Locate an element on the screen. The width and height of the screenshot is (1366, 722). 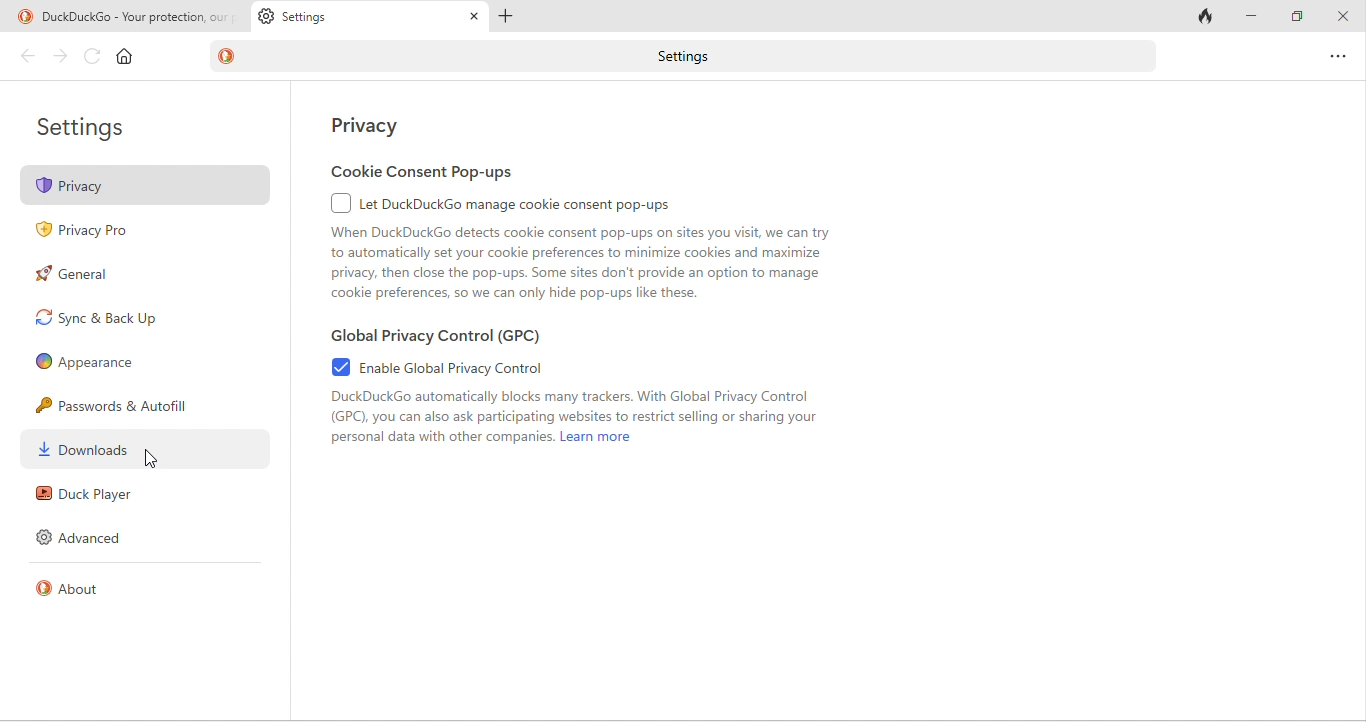
downloads is located at coordinates (103, 448).